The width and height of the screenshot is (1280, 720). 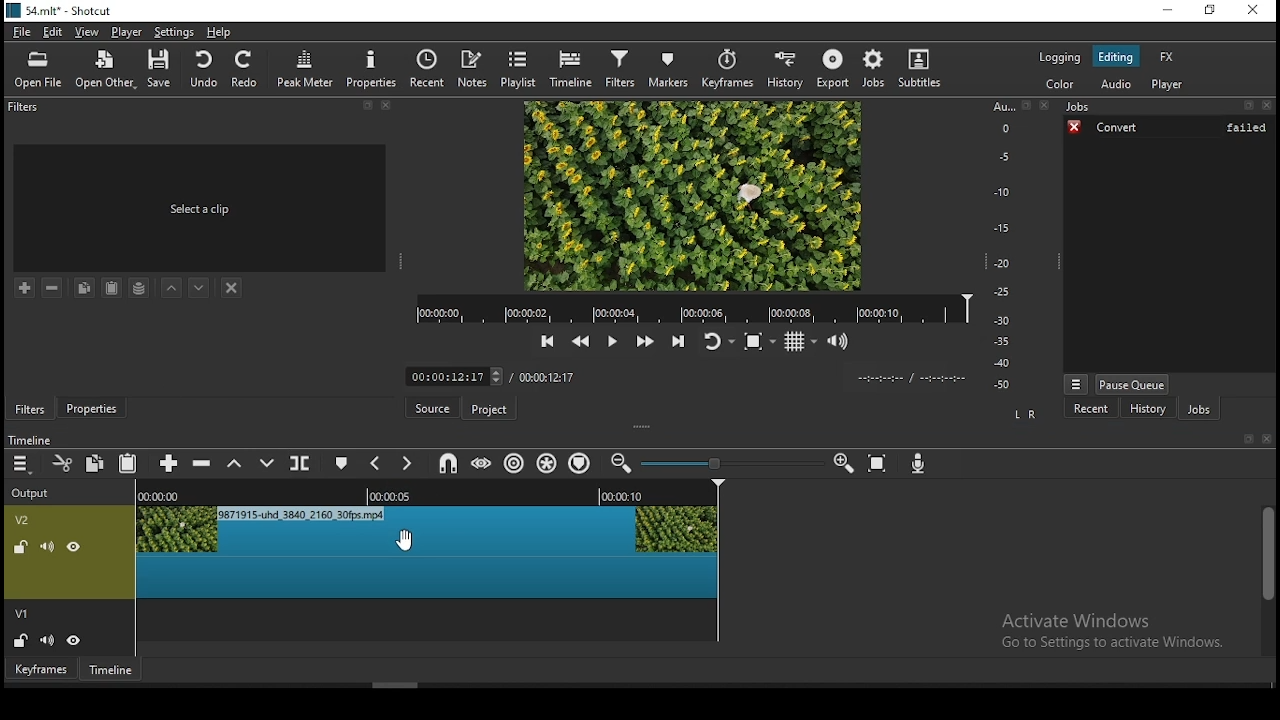 I want to click on play quickly backwards, so click(x=582, y=342).